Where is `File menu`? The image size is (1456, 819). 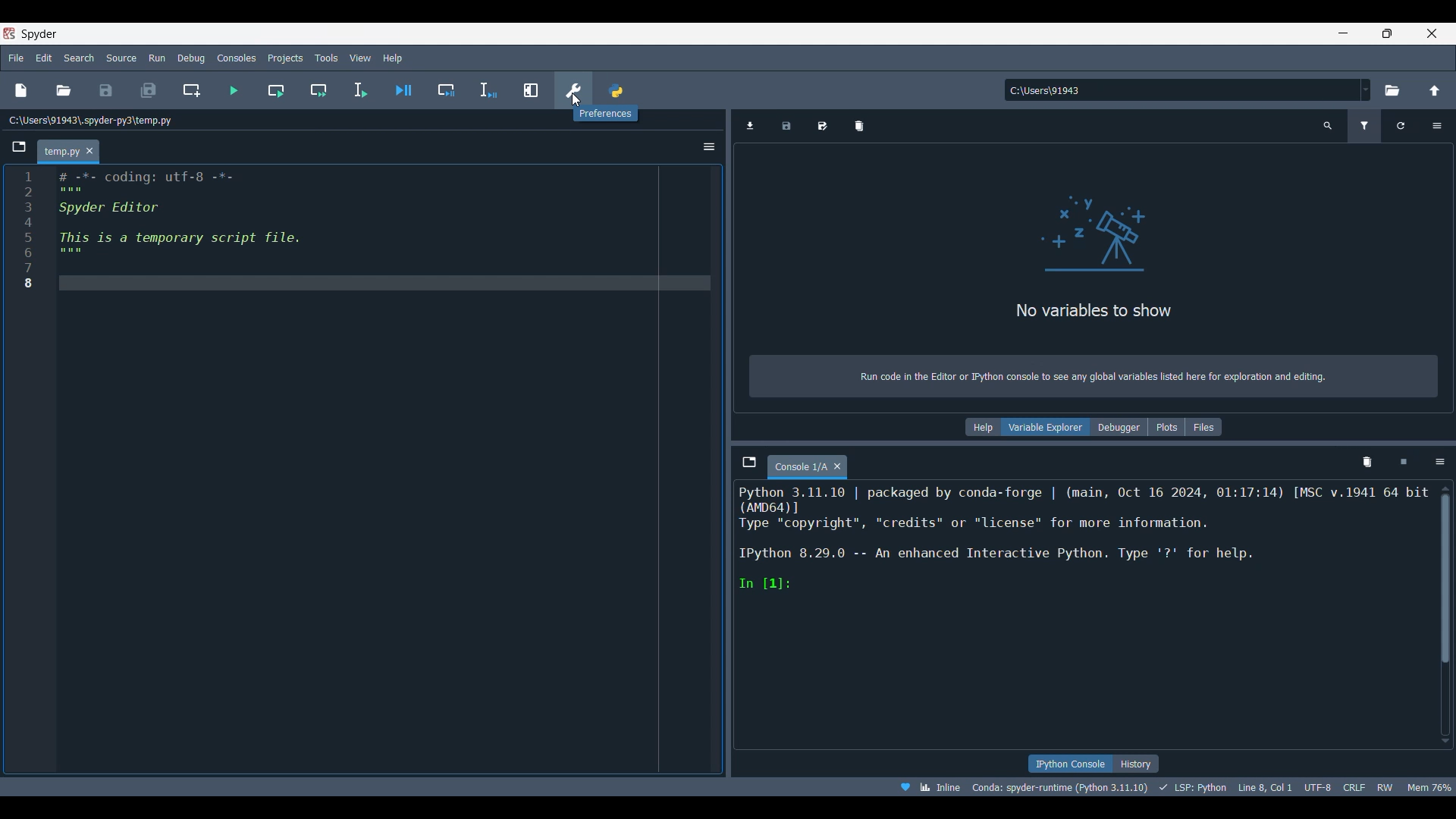 File menu is located at coordinates (17, 58).